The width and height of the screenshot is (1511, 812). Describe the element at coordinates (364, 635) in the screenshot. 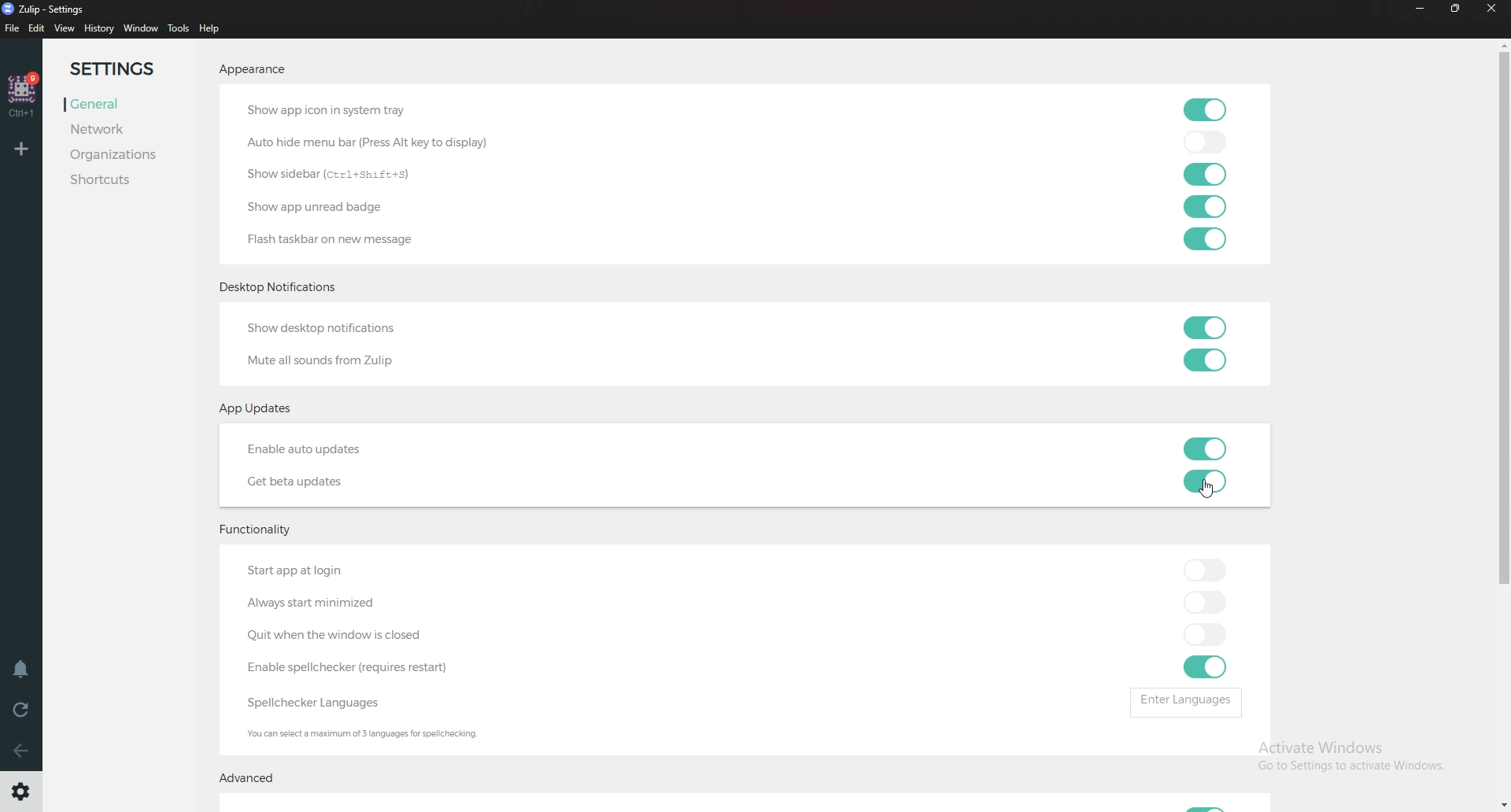

I see `Quit when Windows closed` at that location.